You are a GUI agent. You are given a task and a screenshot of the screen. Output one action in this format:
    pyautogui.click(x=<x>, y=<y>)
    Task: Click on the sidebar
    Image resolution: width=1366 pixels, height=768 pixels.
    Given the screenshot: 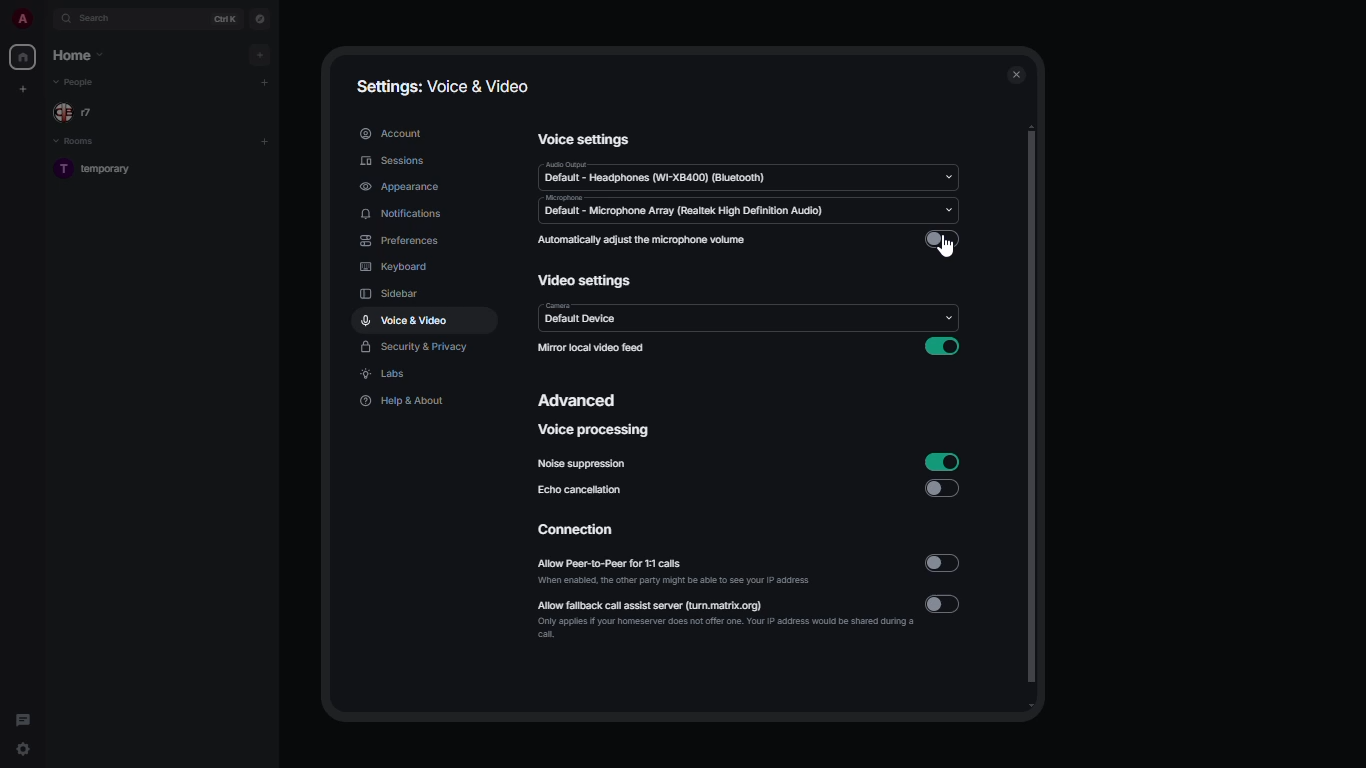 What is the action you would take?
    pyautogui.click(x=391, y=294)
    